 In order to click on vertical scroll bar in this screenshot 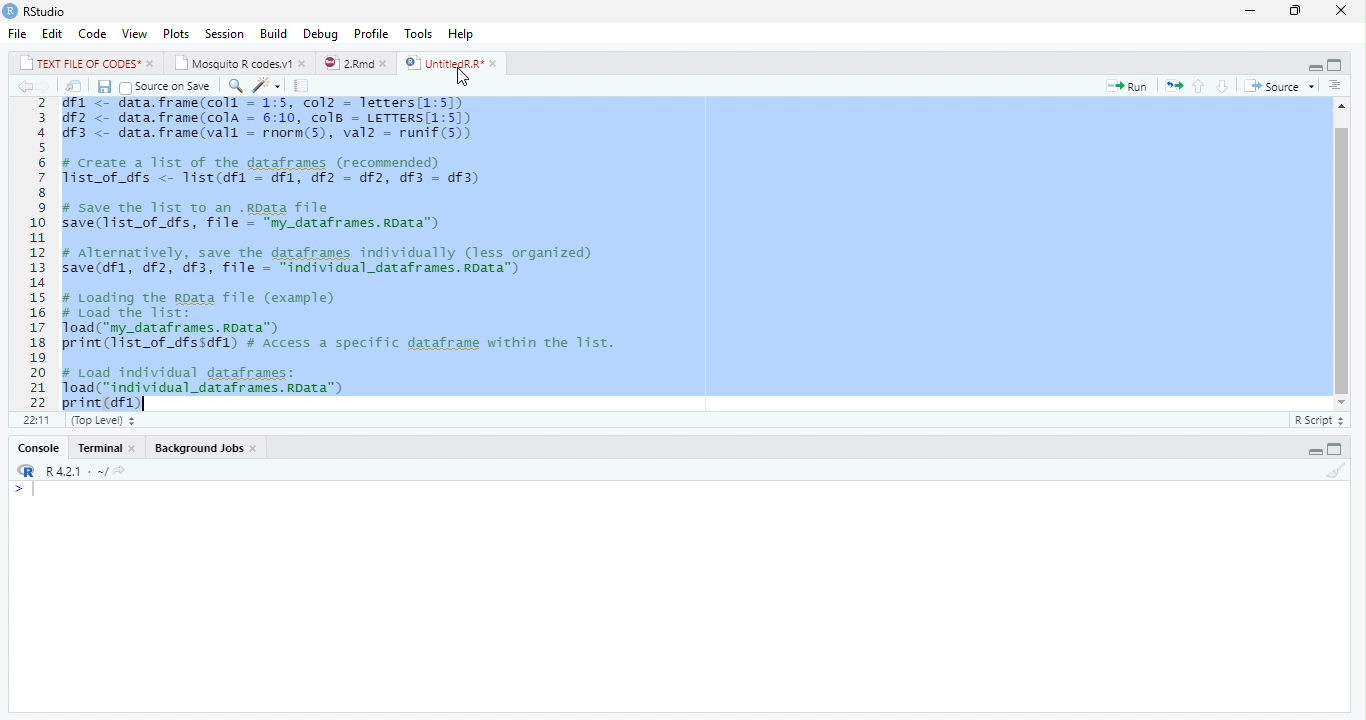, I will do `click(1336, 256)`.